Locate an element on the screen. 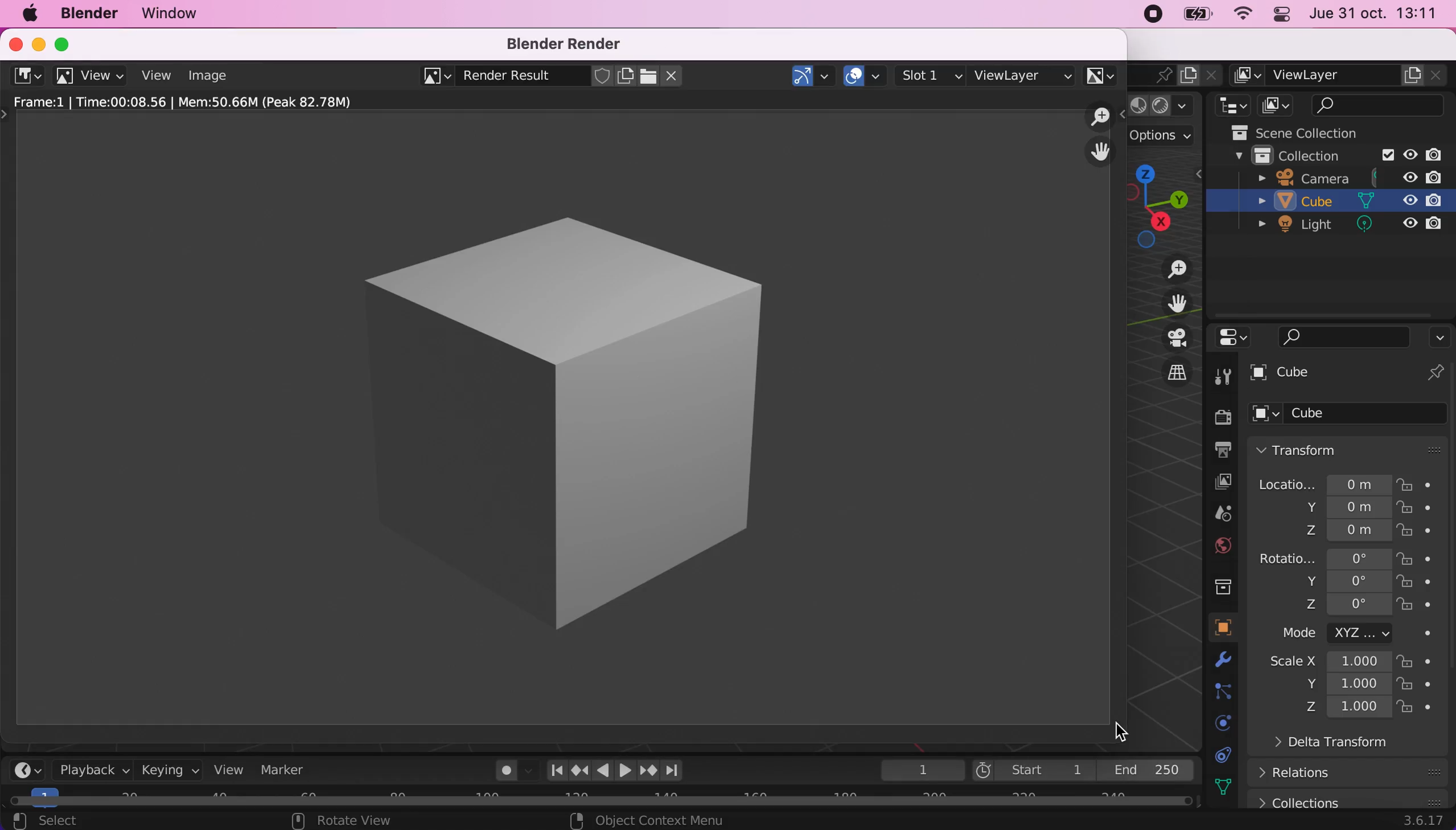 Image resolution: width=1456 pixels, height=830 pixels. camera is located at coordinates (1349, 177).